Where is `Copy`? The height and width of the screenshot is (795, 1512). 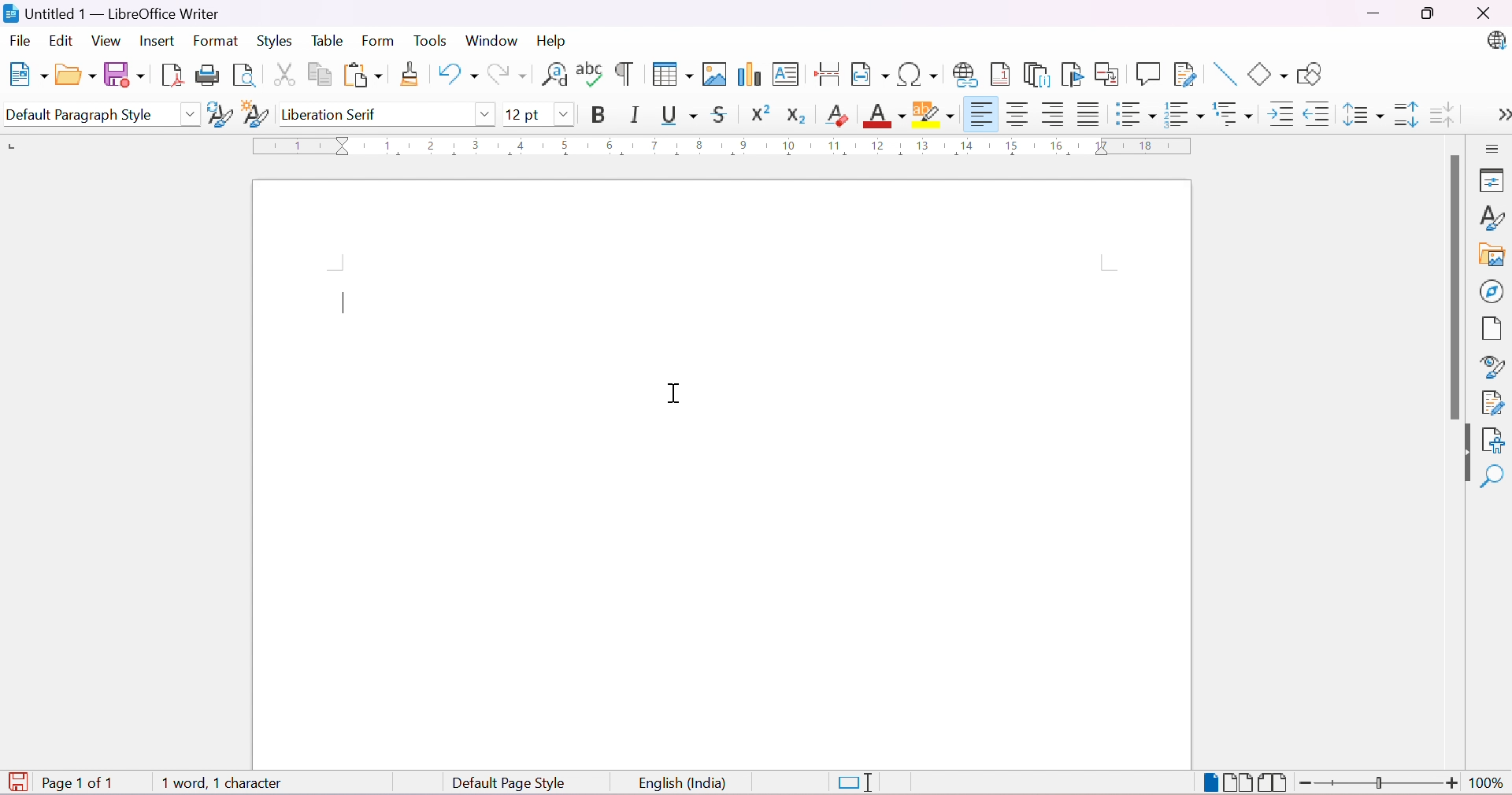
Copy is located at coordinates (317, 72).